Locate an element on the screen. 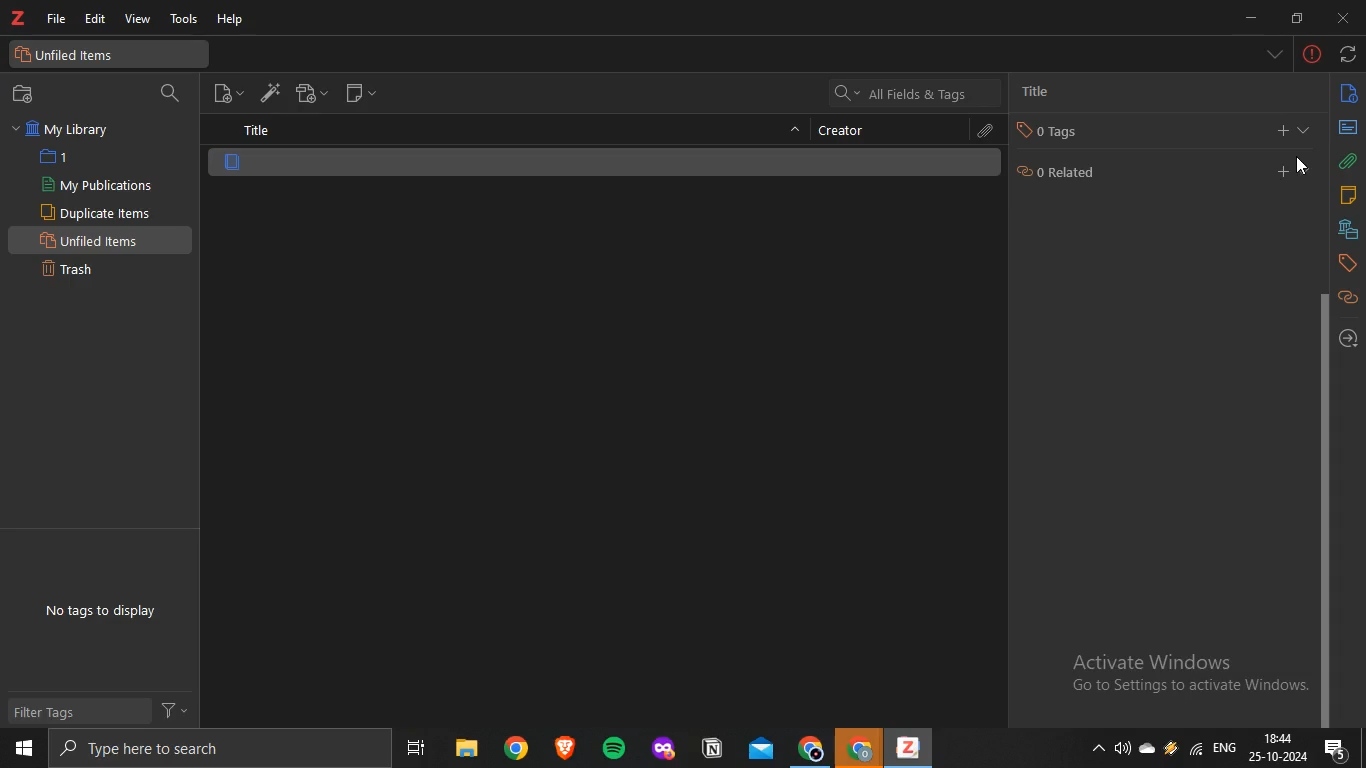  help is located at coordinates (228, 19).